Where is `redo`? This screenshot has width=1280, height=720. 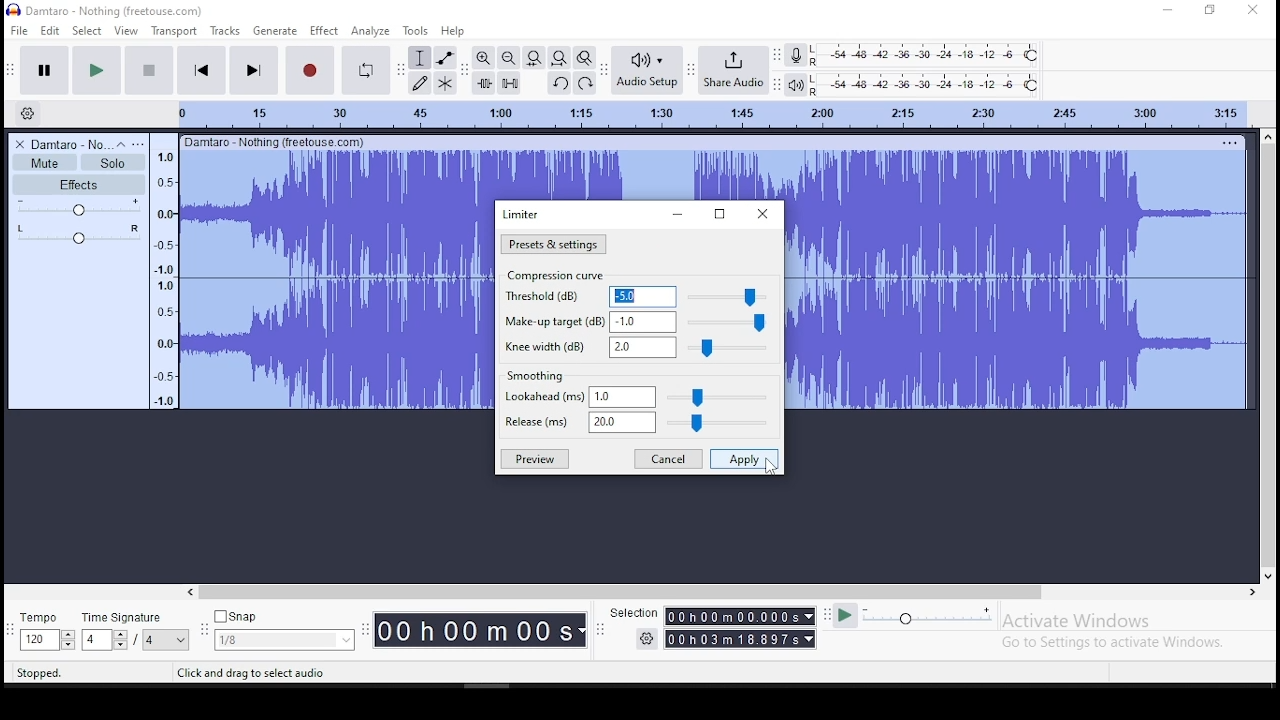
redo is located at coordinates (586, 83).